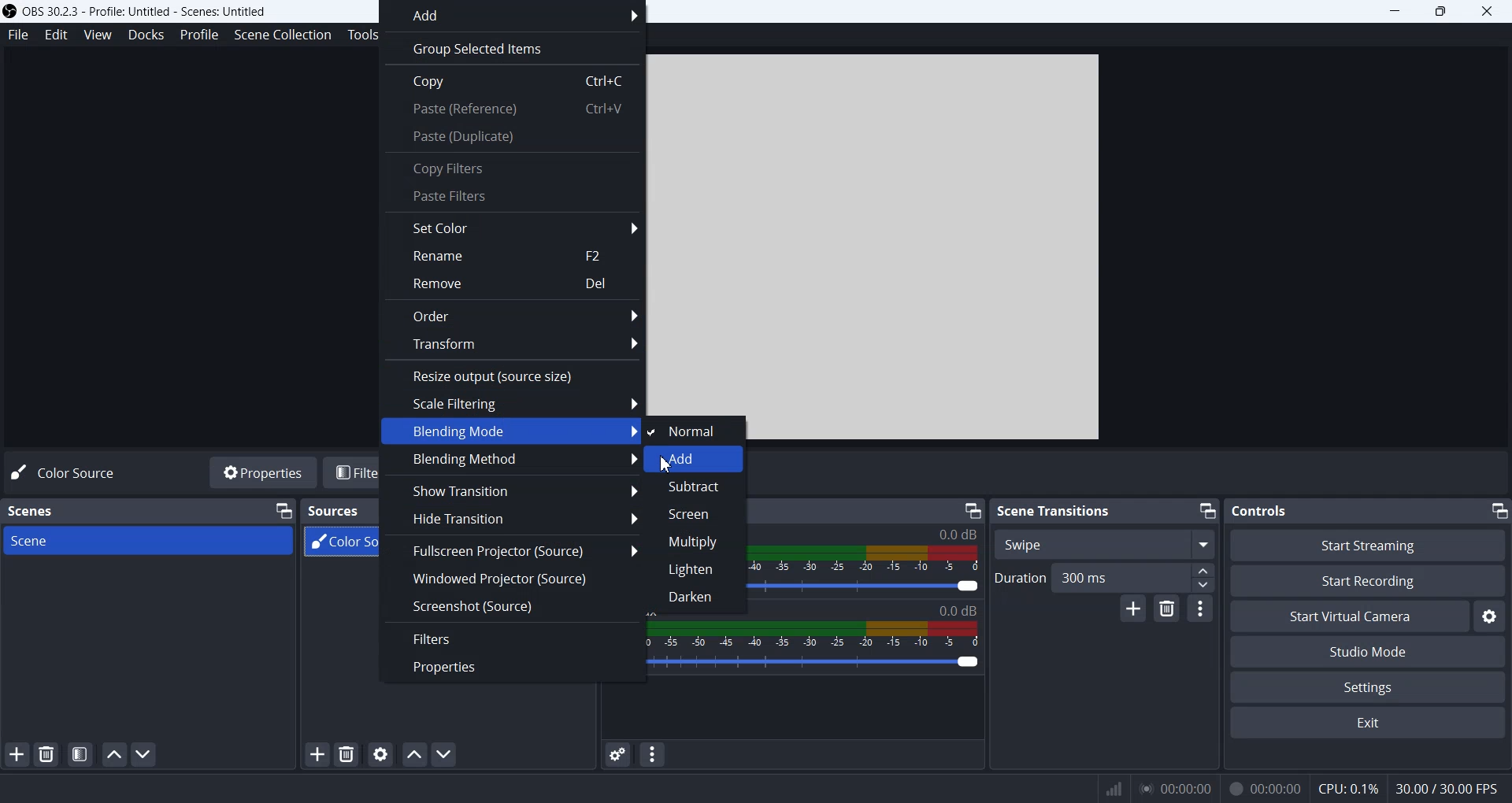  Describe the element at coordinates (1369, 686) in the screenshot. I see `Settings` at that location.